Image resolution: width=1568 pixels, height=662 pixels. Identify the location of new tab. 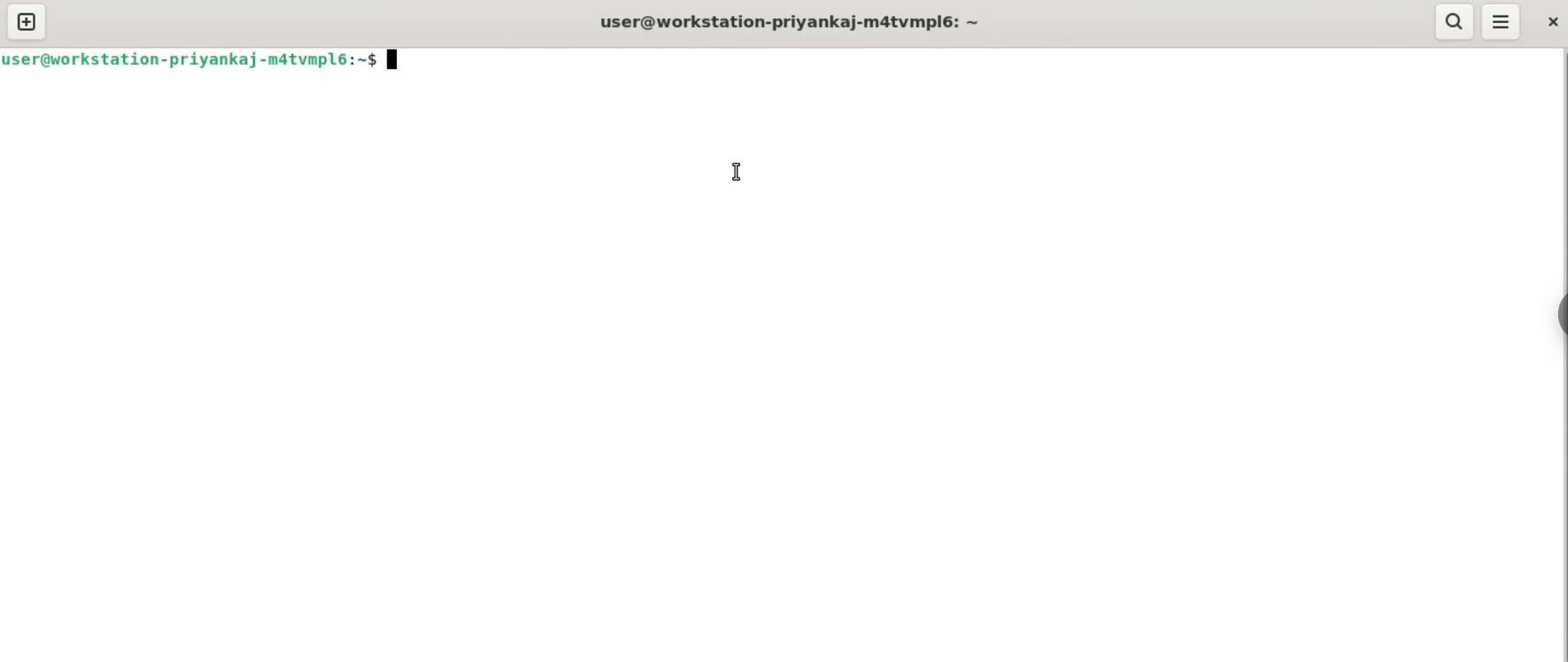
(27, 23).